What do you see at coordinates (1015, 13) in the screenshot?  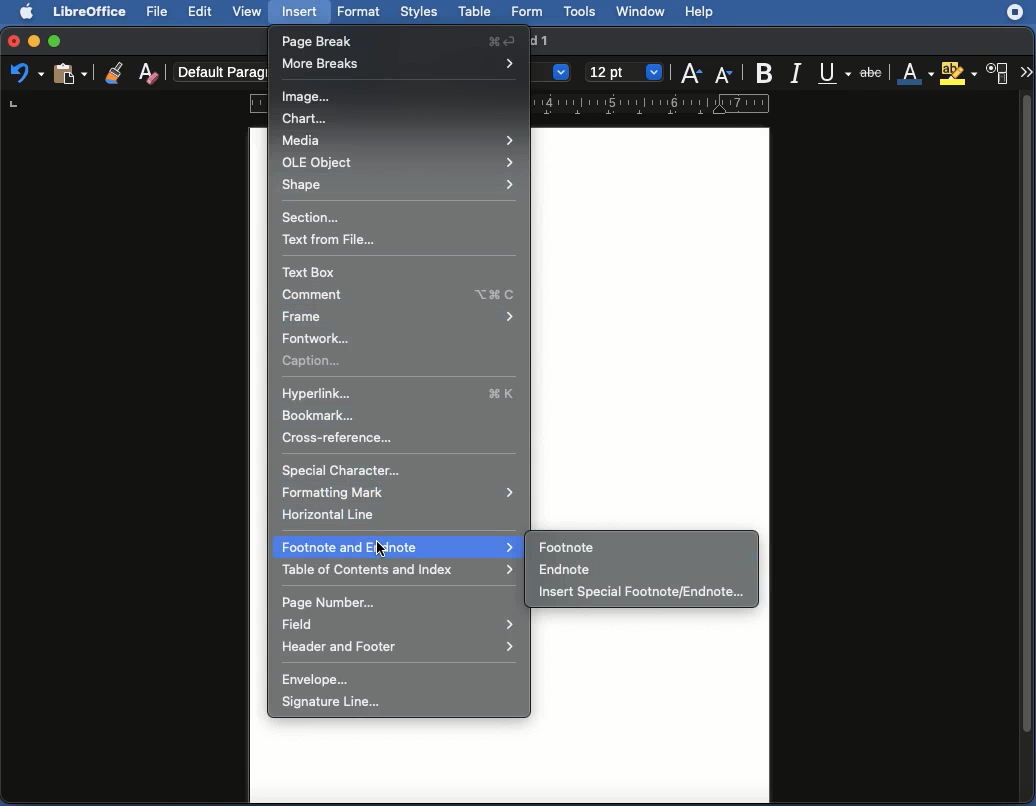 I see `extension` at bounding box center [1015, 13].